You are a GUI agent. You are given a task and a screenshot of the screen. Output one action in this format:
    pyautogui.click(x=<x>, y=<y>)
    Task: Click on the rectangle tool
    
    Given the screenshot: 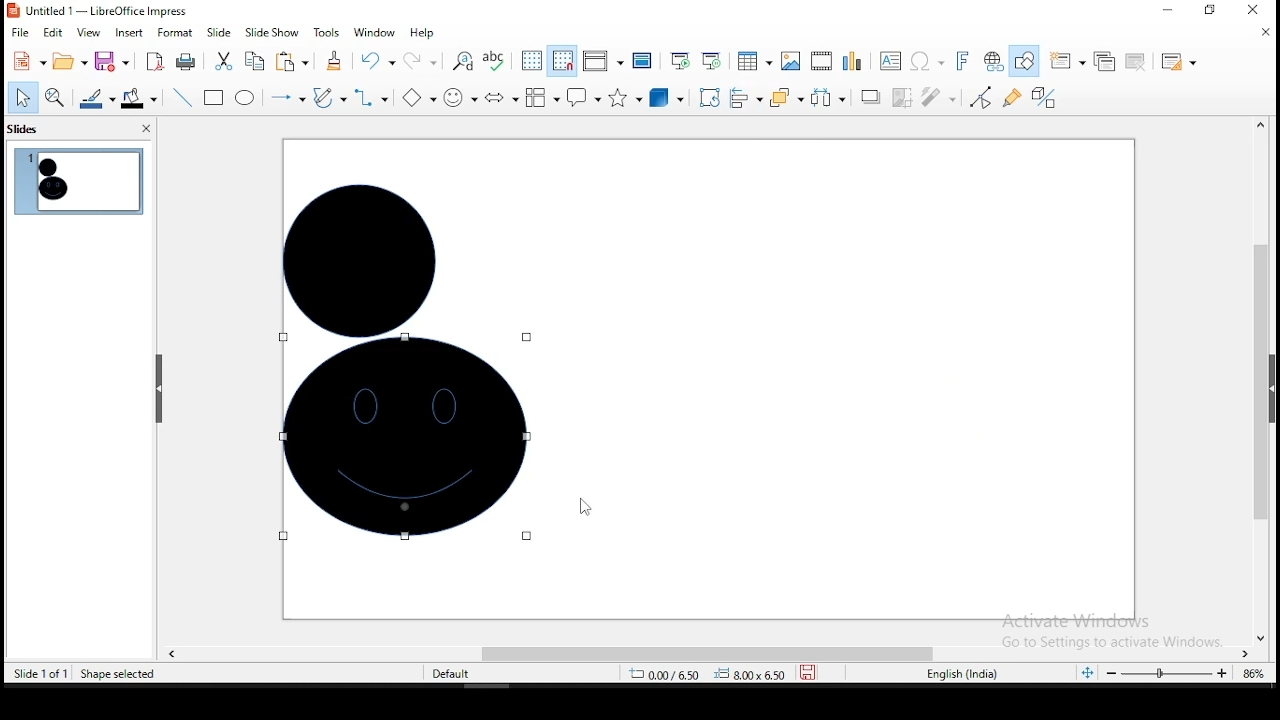 What is the action you would take?
    pyautogui.click(x=214, y=98)
    